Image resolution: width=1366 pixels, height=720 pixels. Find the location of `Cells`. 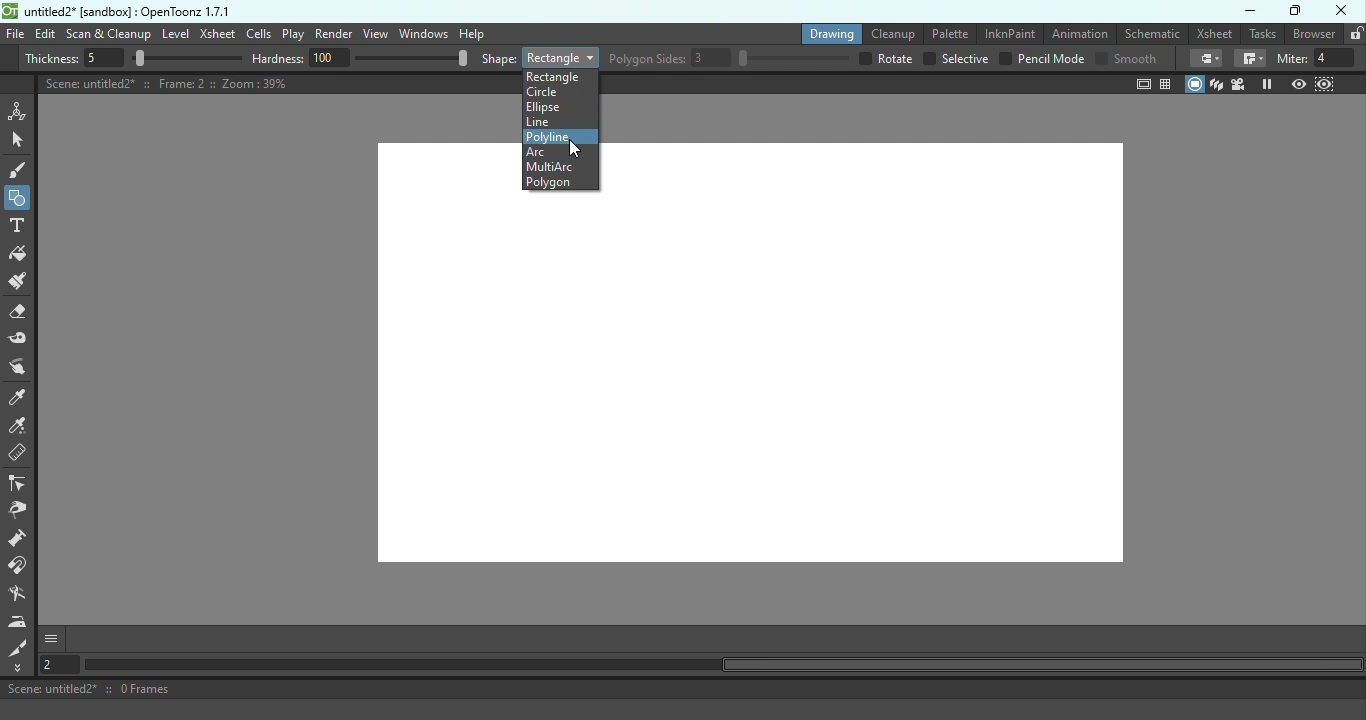

Cells is located at coordinates (258, 33).